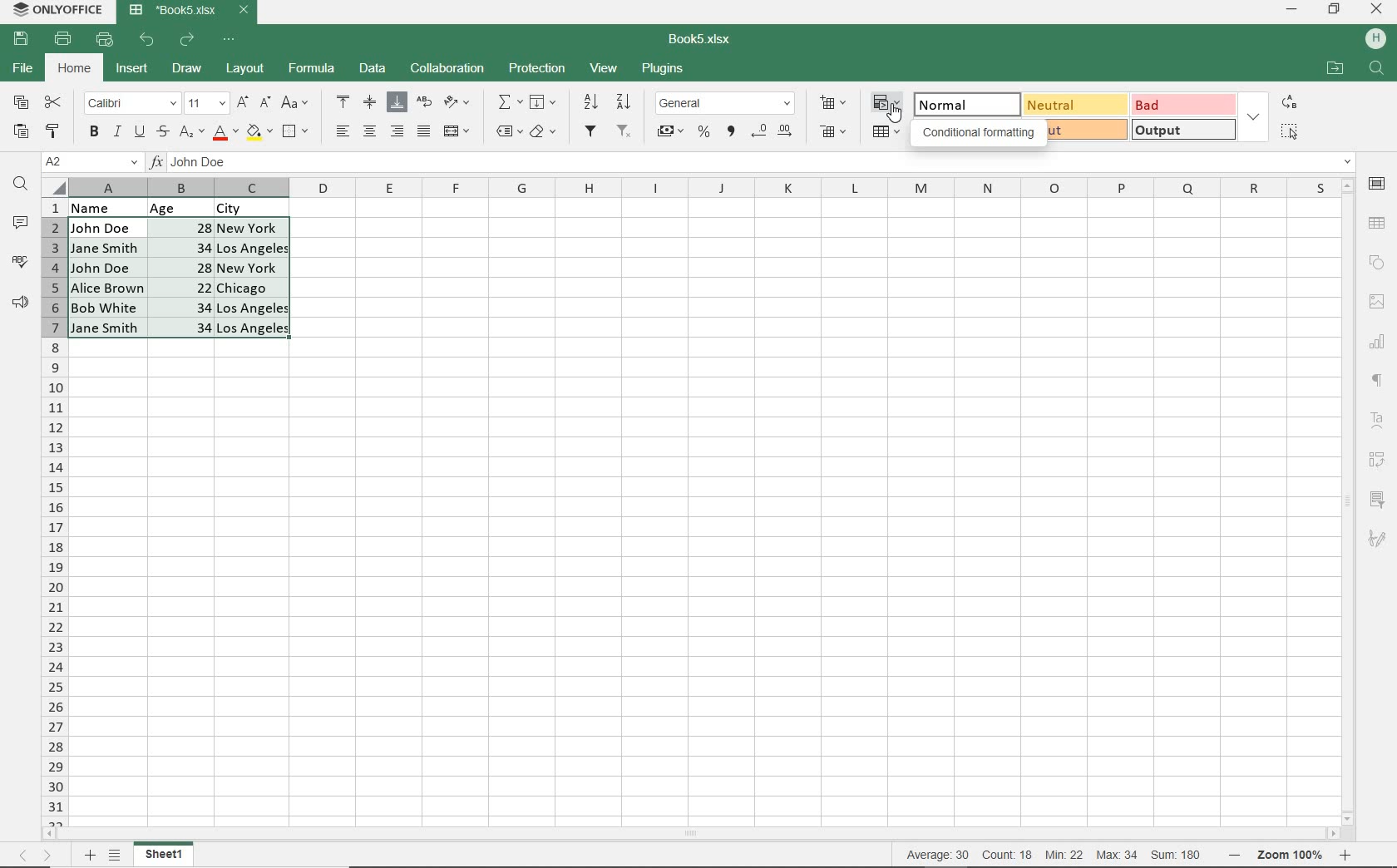 Image resolution: width=1397 pixels, height=868 pixels. What do you see at coordinates (592, 102) in the screenshot?
I see `SORTASCENDING` at bounding box center [592, 102].